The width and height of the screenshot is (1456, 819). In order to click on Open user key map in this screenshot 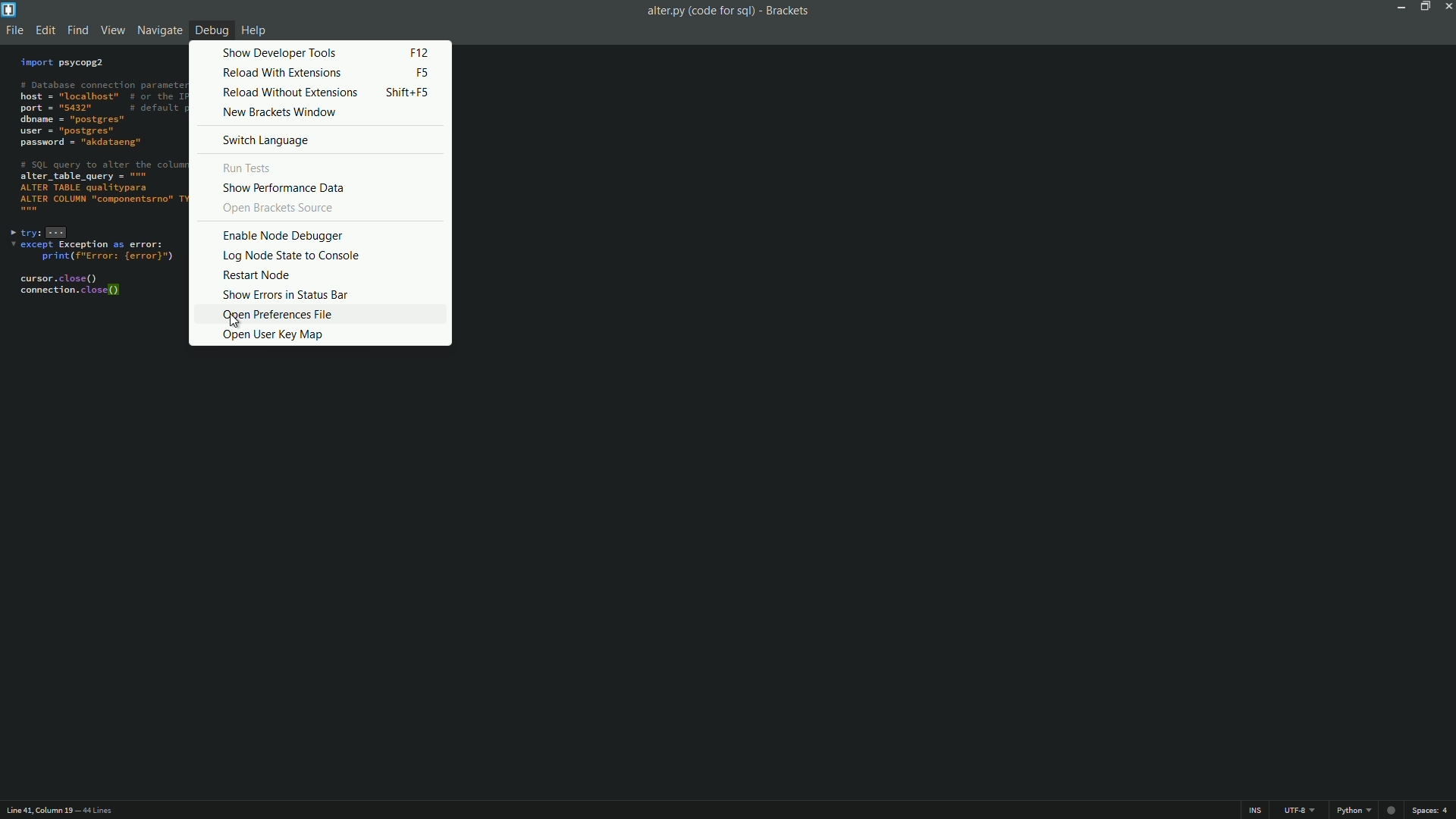, I will do `click(323, 334)`.